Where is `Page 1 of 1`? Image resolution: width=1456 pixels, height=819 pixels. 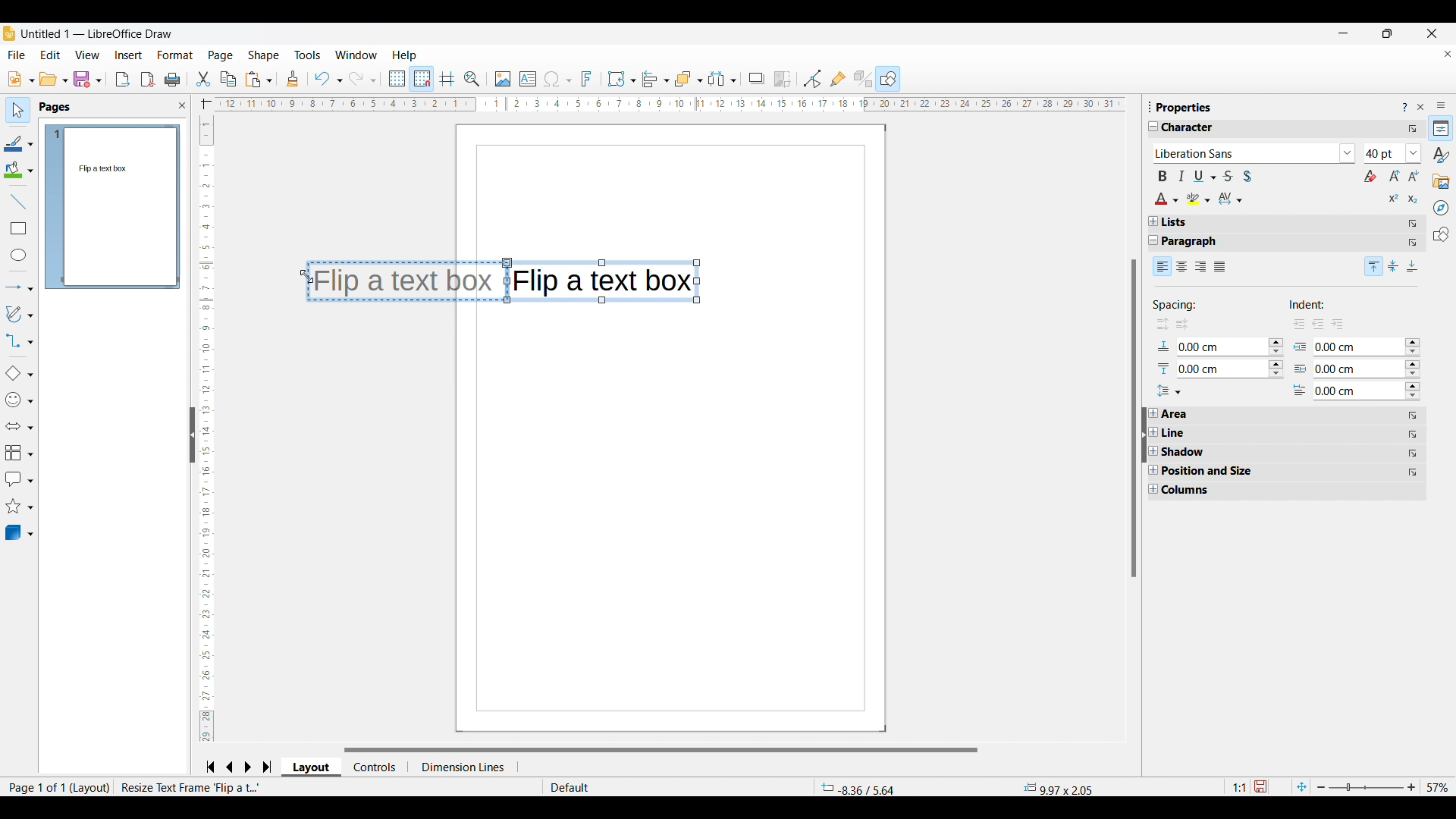
Page 1 of 1 is located at coordinates (33, 787).